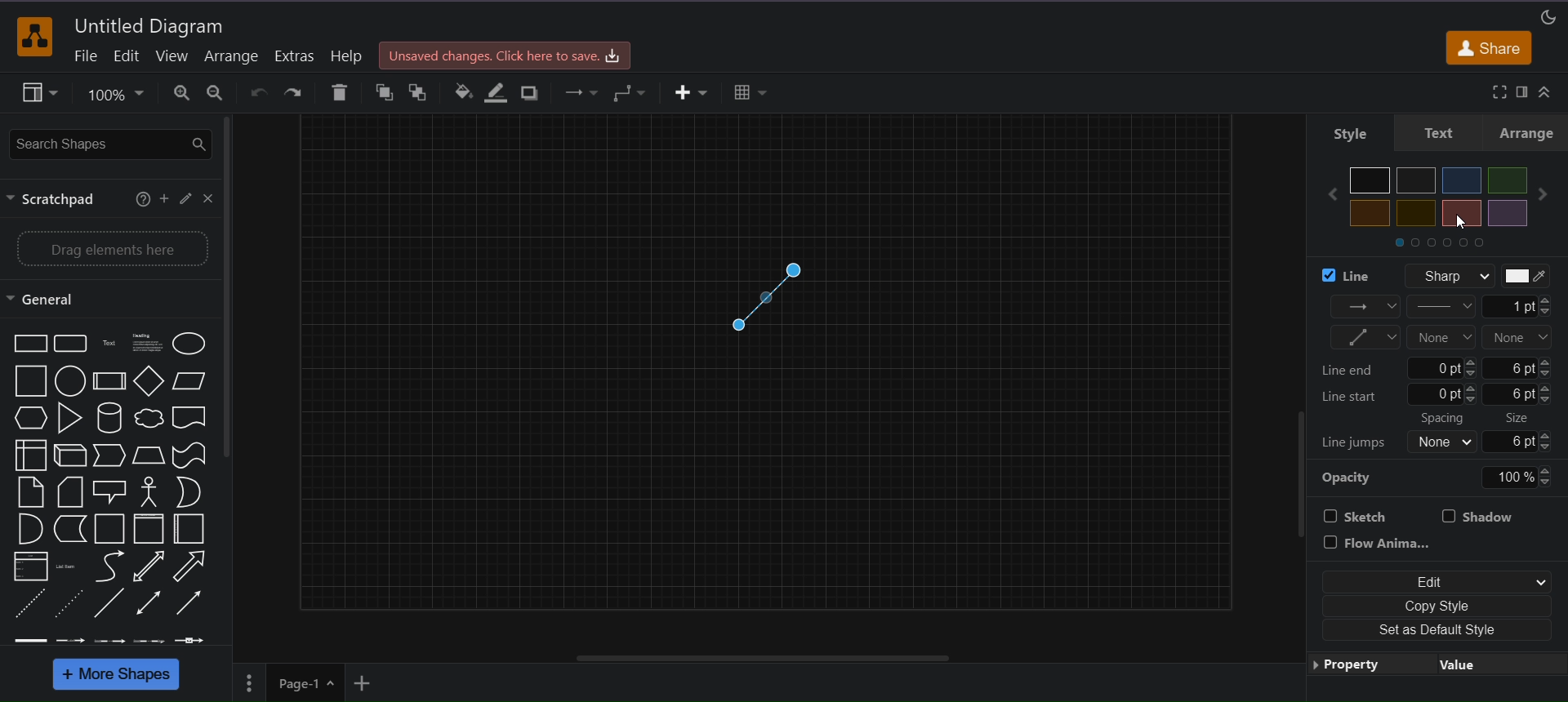 The width and height of the screenshot is (1568, 702). I want to click on connection, so click(1368, 305).